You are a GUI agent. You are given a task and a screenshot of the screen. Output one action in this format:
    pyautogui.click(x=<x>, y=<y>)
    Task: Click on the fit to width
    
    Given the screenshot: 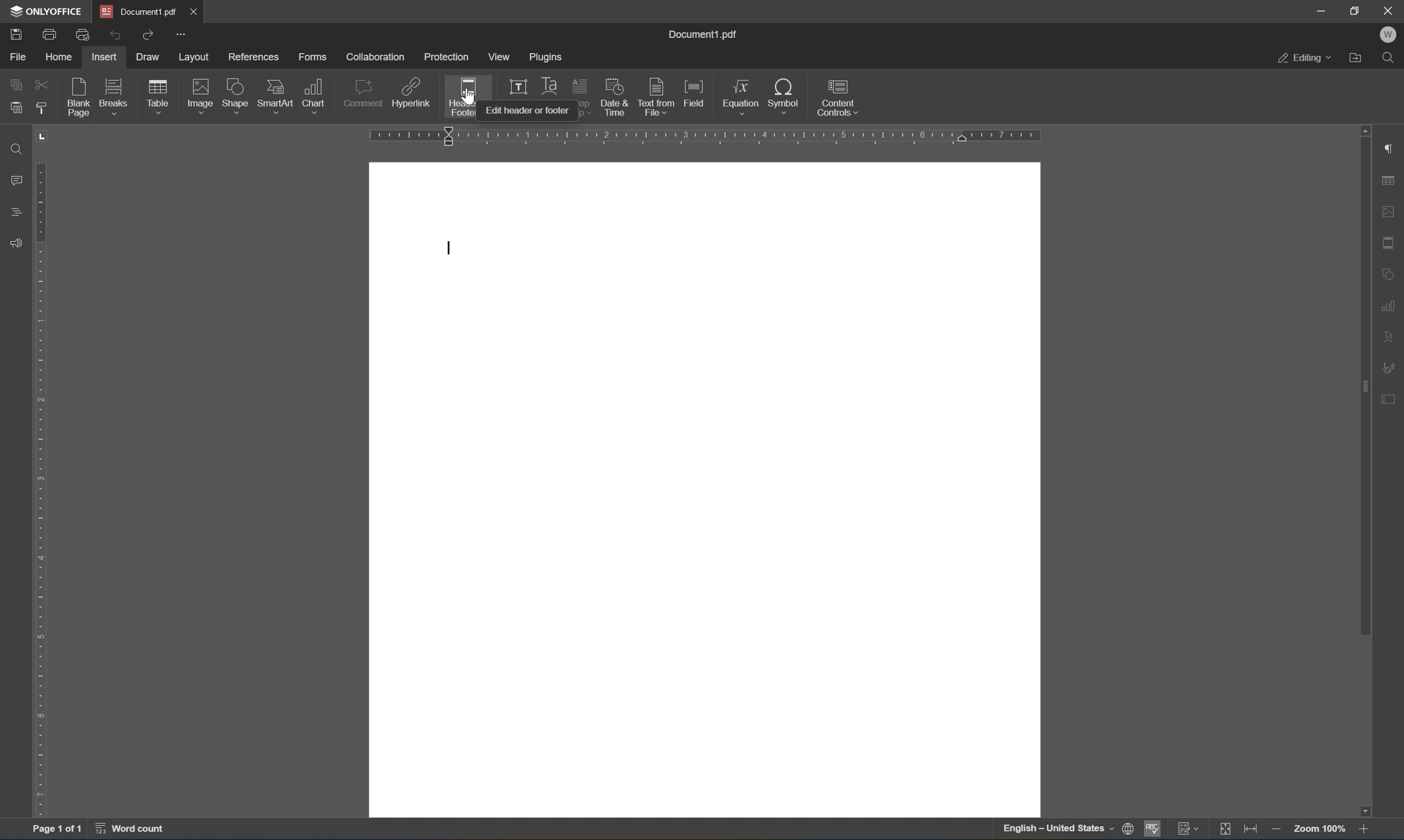 What is the action you would take?
    pyautogui.click(x=1251, y=830)
    